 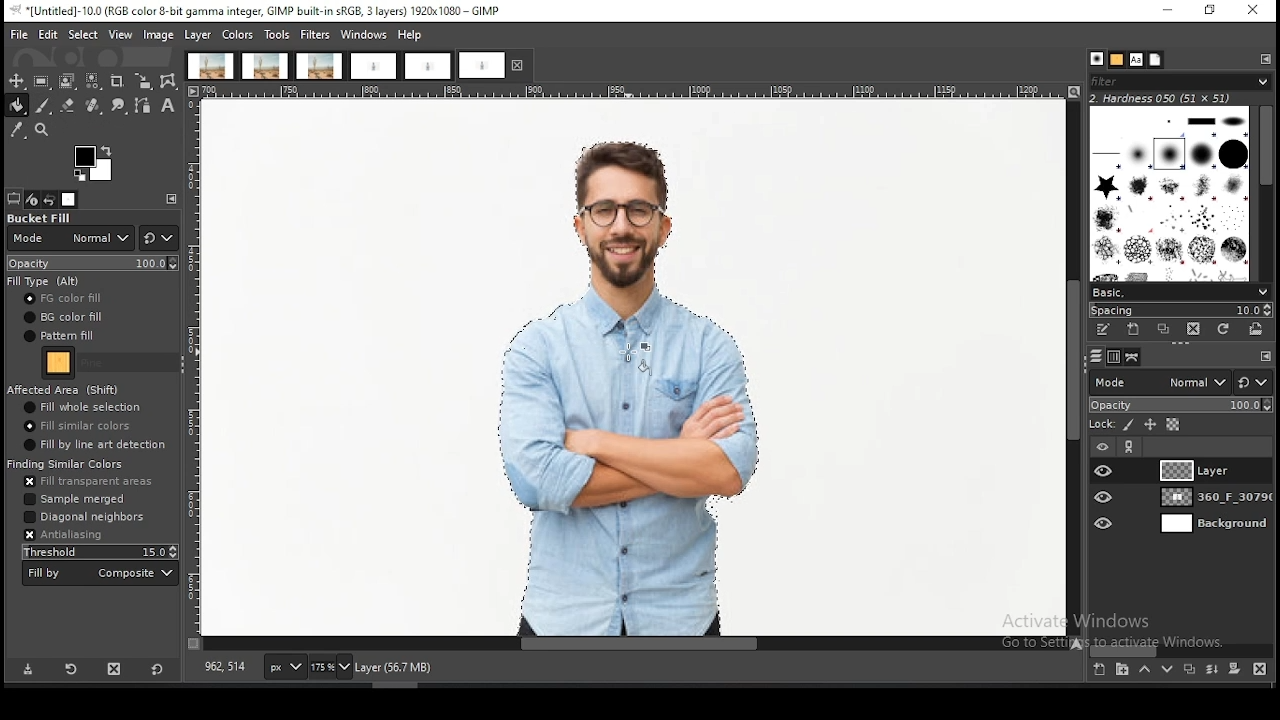 I want to click on rectangle select tool, so click(x=41, y=81).